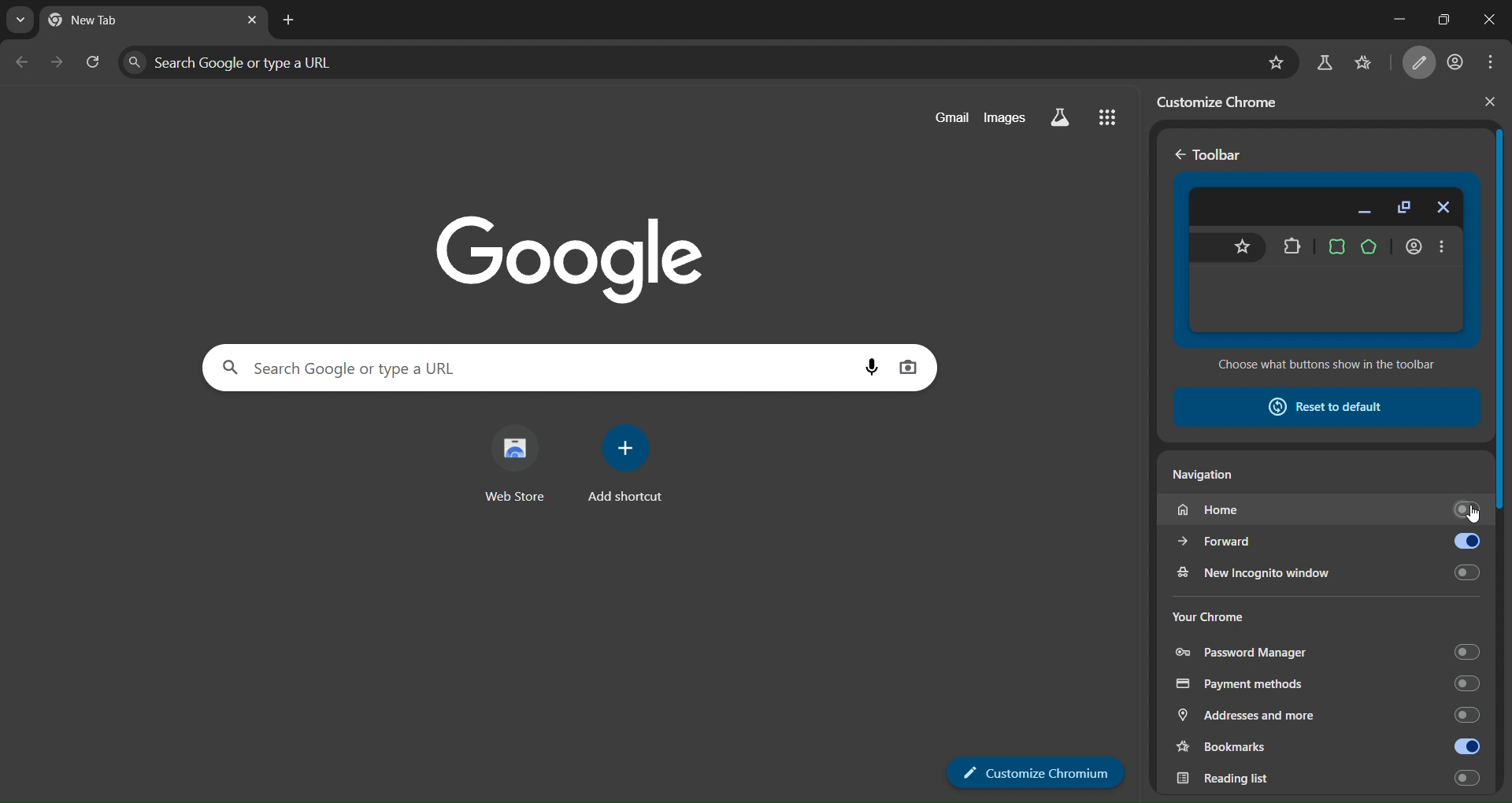  What do you see at coordinates (1327, 779) in the screenshot?
I see `reading list` at bounding box center [1327, 779].